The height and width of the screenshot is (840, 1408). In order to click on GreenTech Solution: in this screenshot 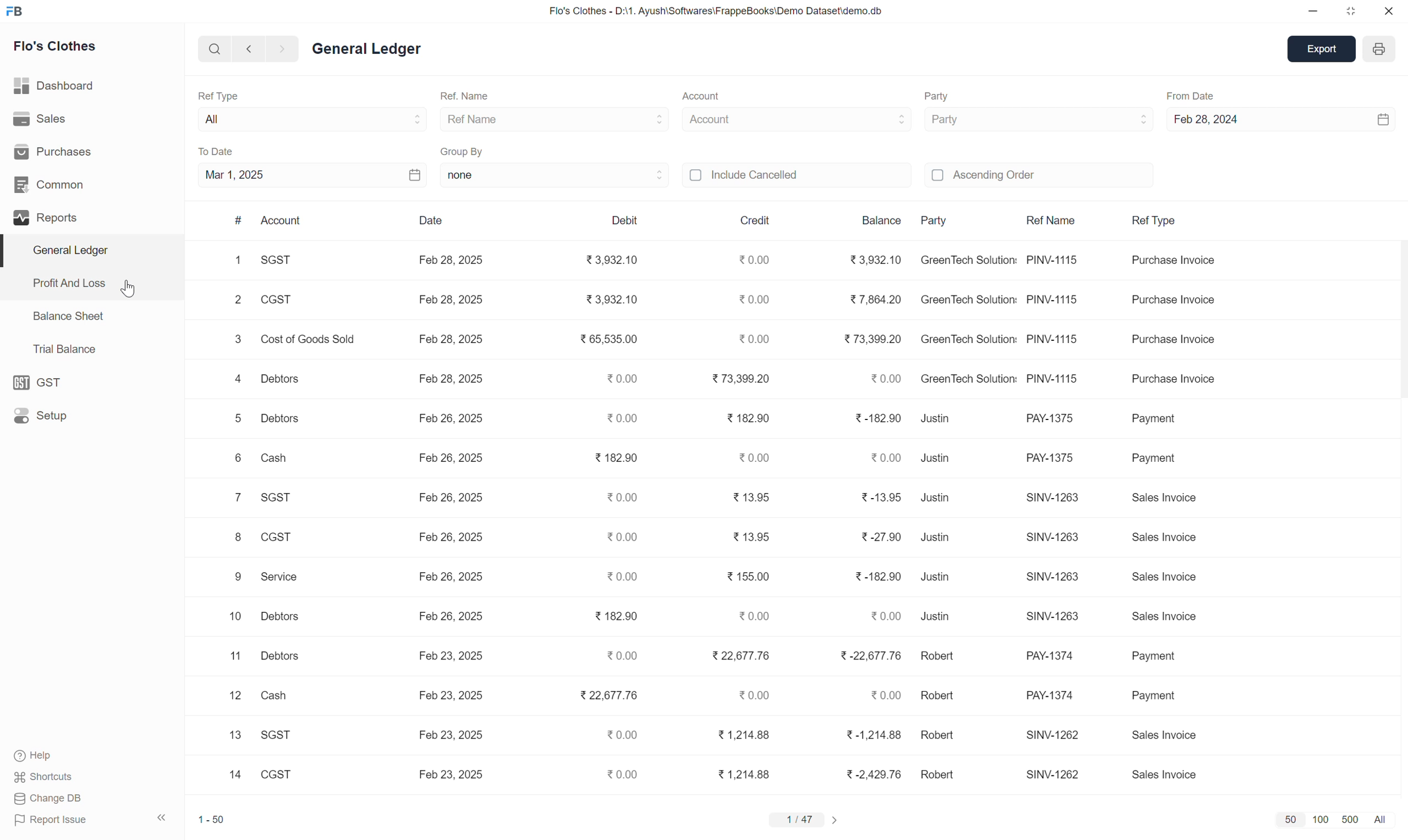, I will do `click(966, 338)`.